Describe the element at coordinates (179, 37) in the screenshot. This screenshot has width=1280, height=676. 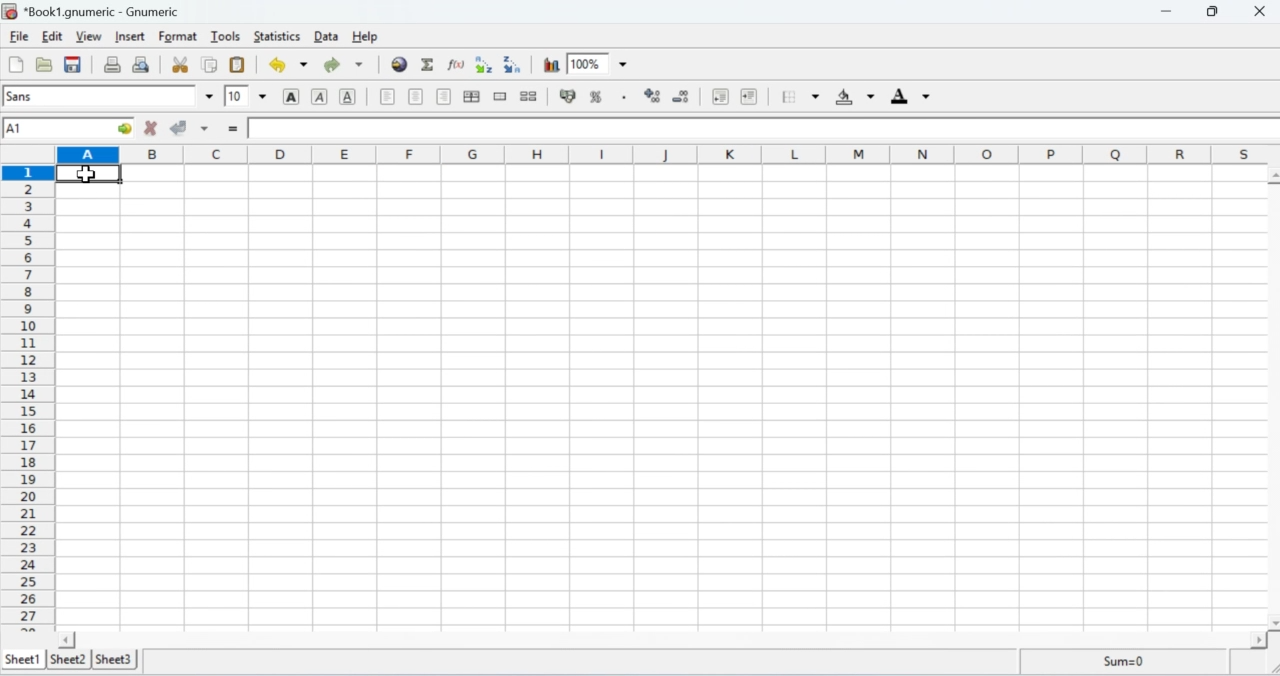
I see `Format` at that location.